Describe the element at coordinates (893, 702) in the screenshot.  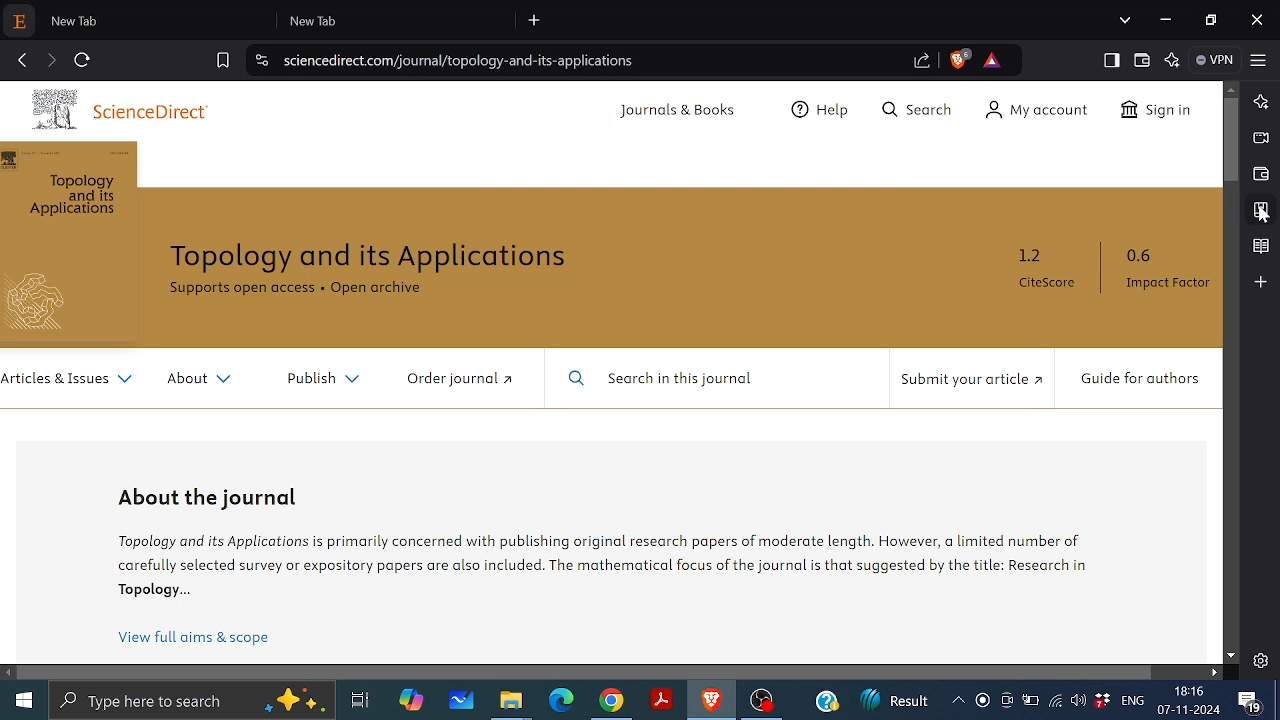
I see `News` at that location.